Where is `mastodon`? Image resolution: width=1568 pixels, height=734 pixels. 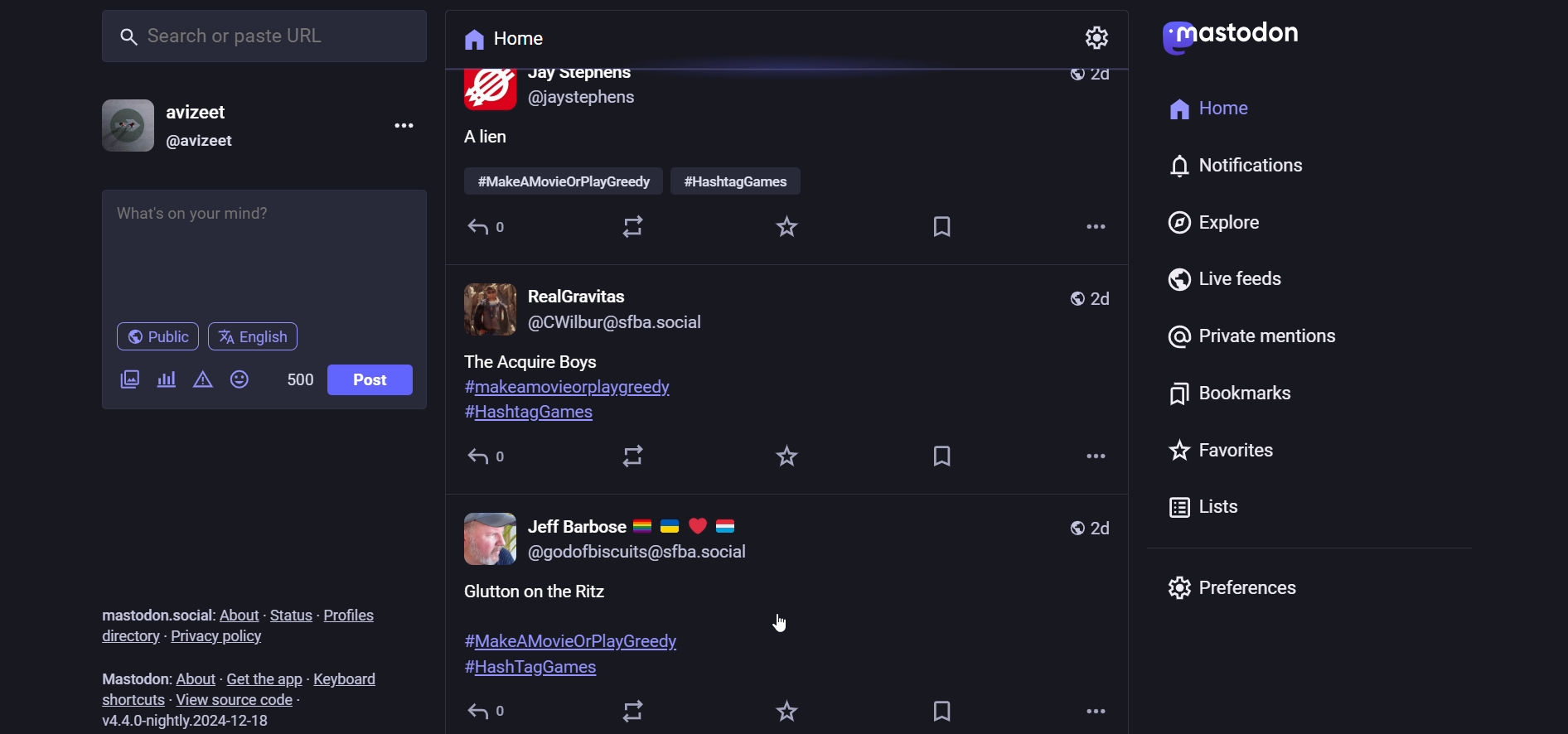
mastodon is located at coordinates (133, 676).